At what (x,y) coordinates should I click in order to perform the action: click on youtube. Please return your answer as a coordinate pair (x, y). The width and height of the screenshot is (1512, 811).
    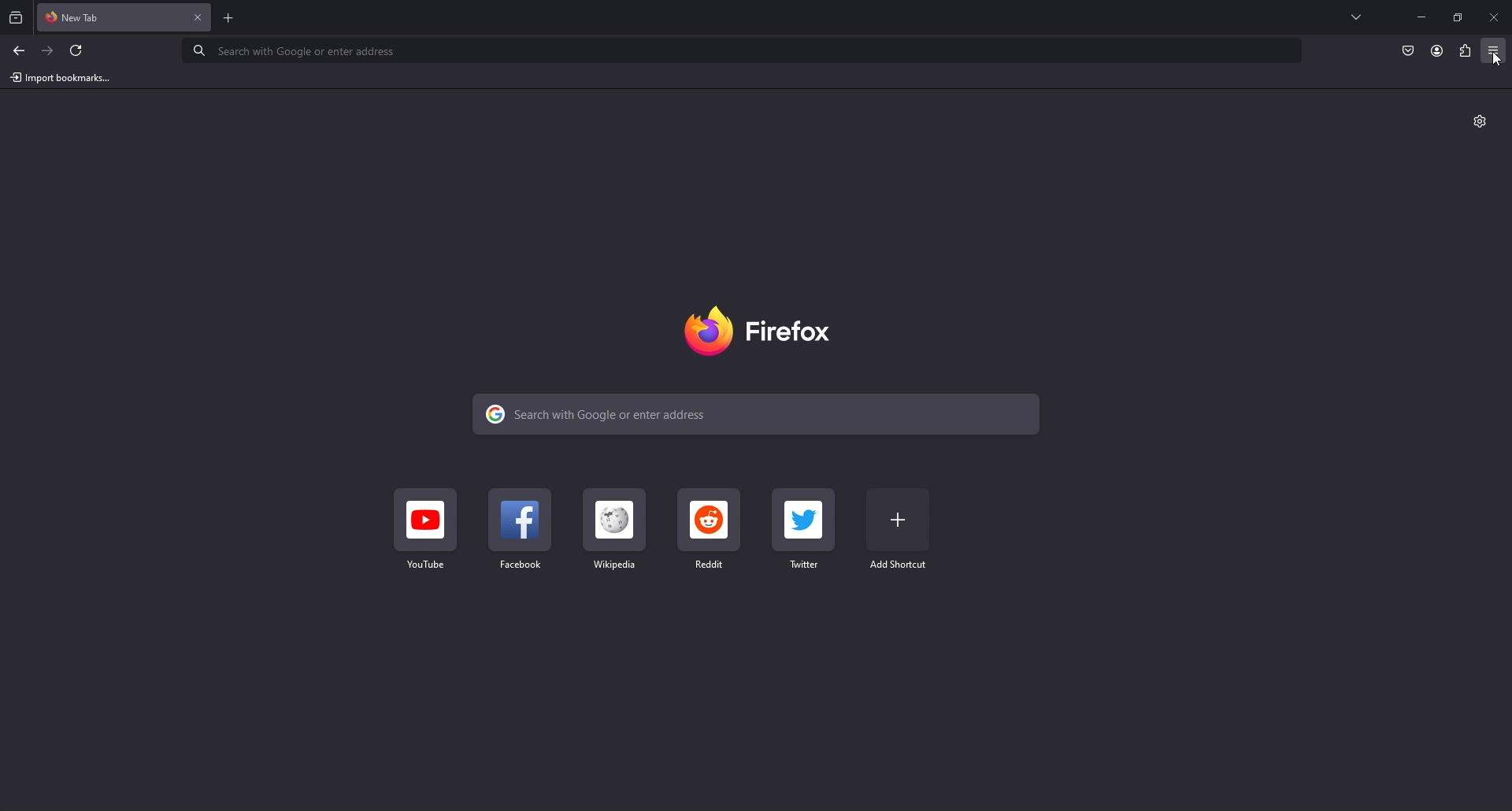
    Looking at the image, I should click on (423, 531).